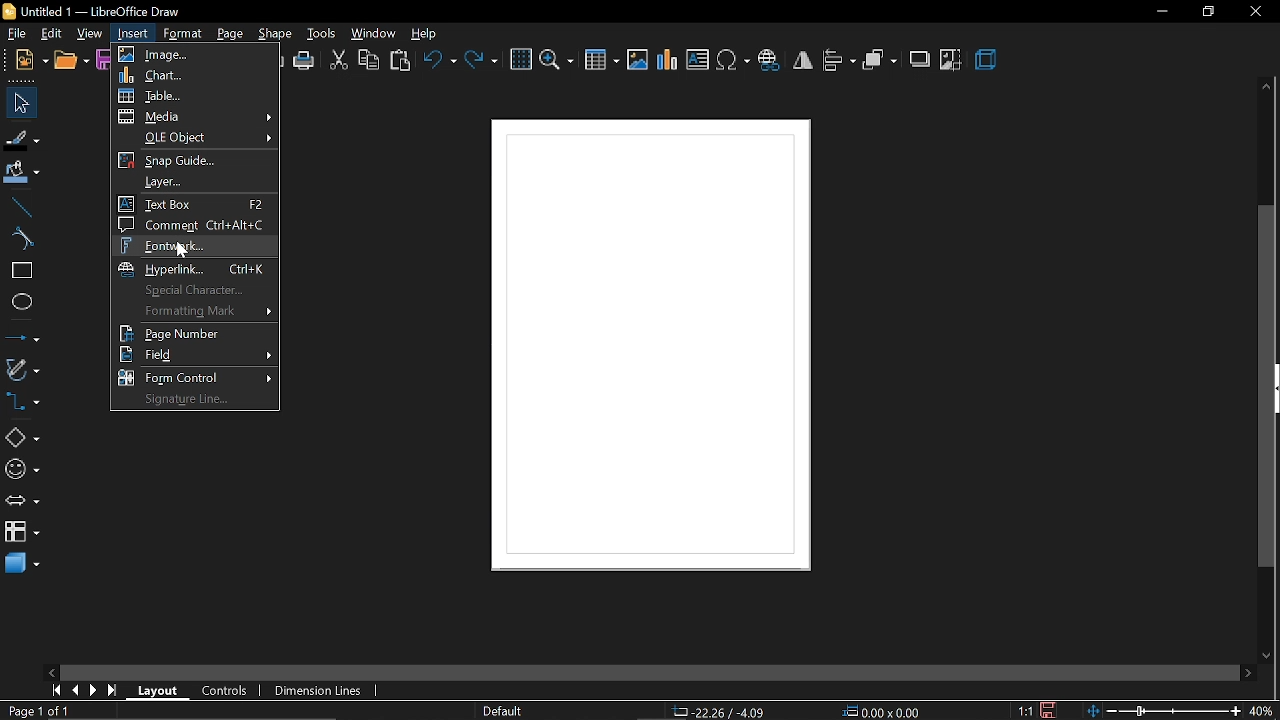 This screenshot has width=1280, height=720. I want to click on copy, so click(370, 60).